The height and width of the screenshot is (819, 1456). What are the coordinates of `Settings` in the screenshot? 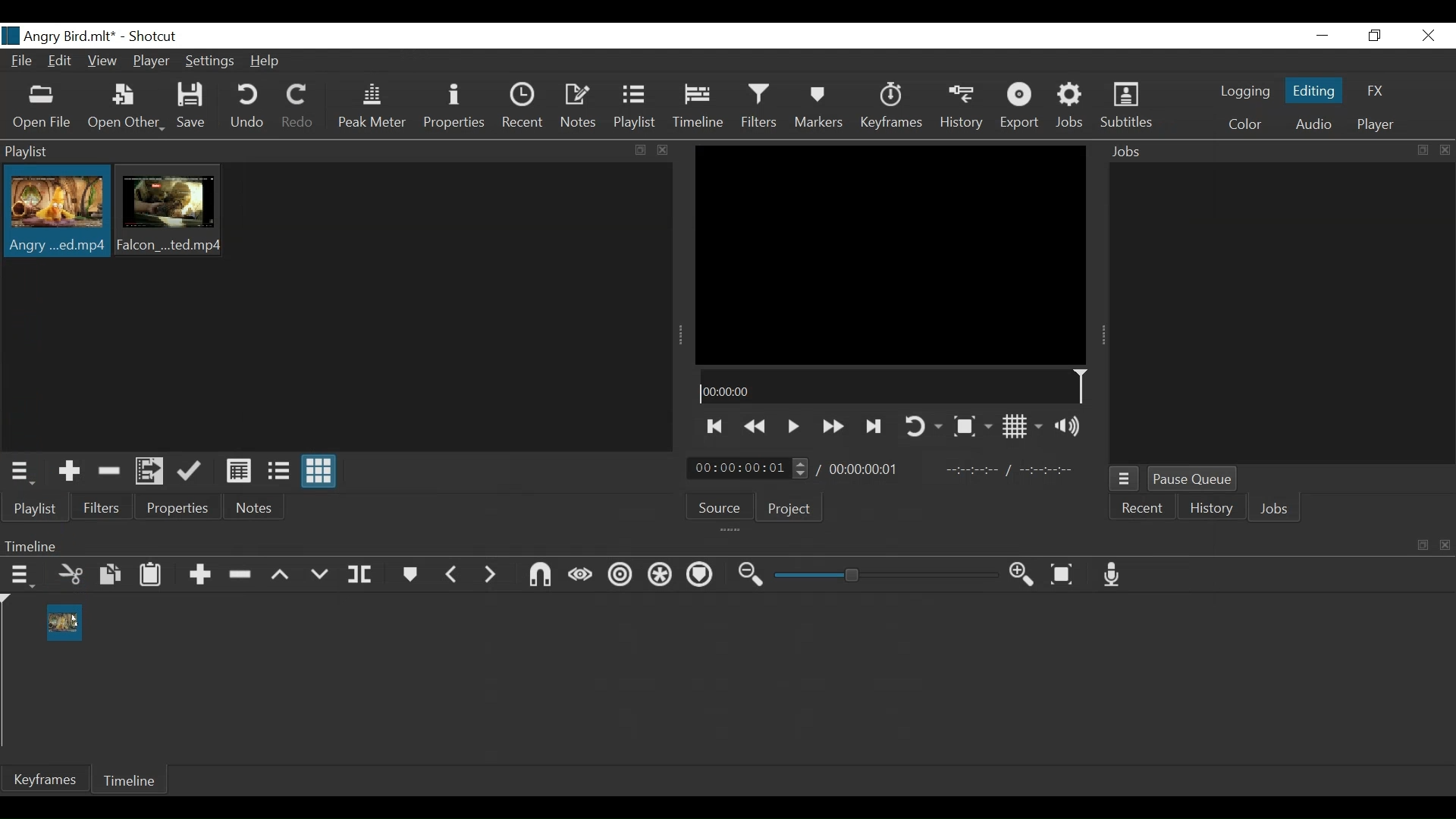 It's located at (210, 61).